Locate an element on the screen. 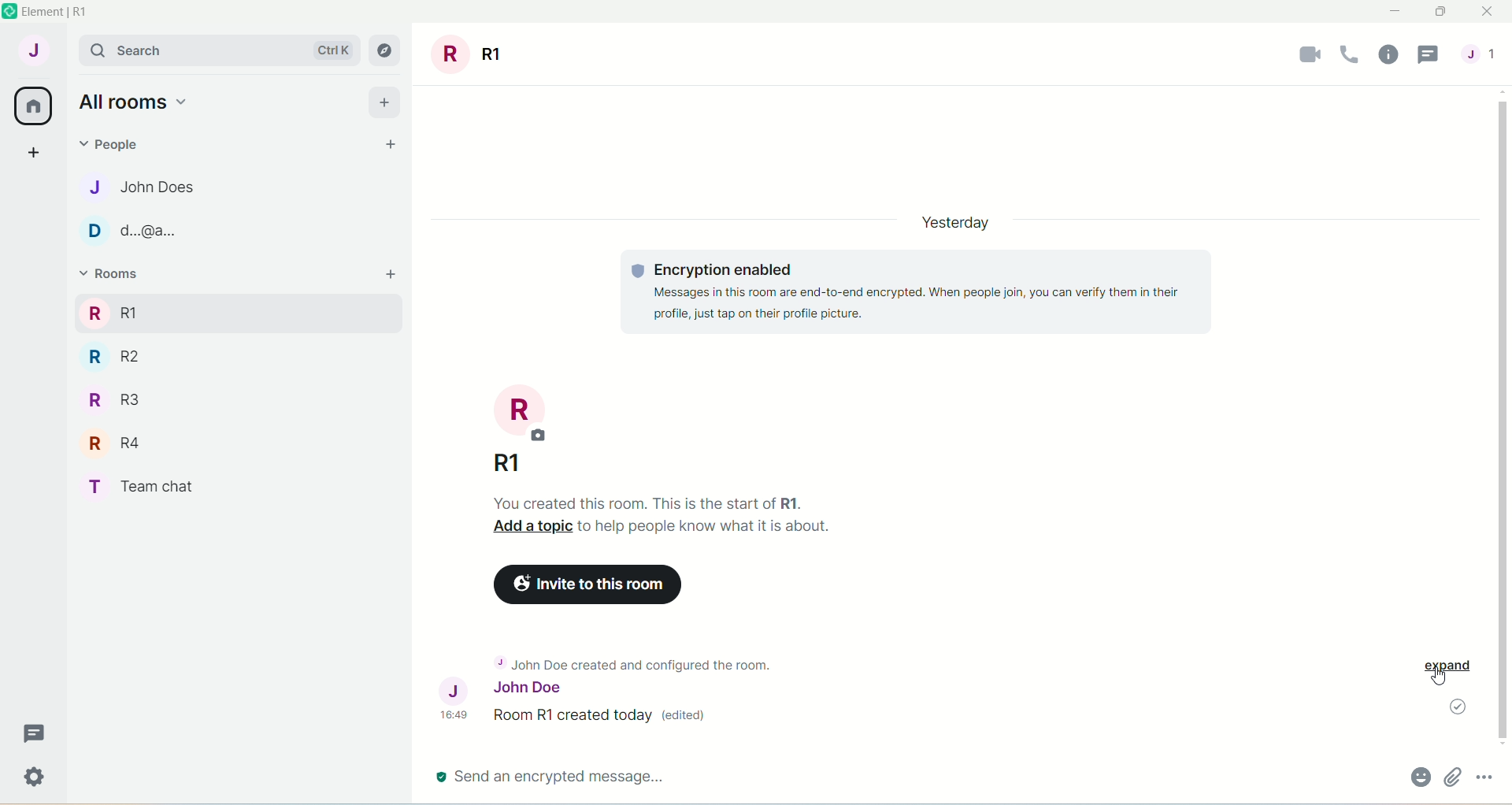 The image size is (1512, 805). d...@a... is located at coordinates (124, 229).